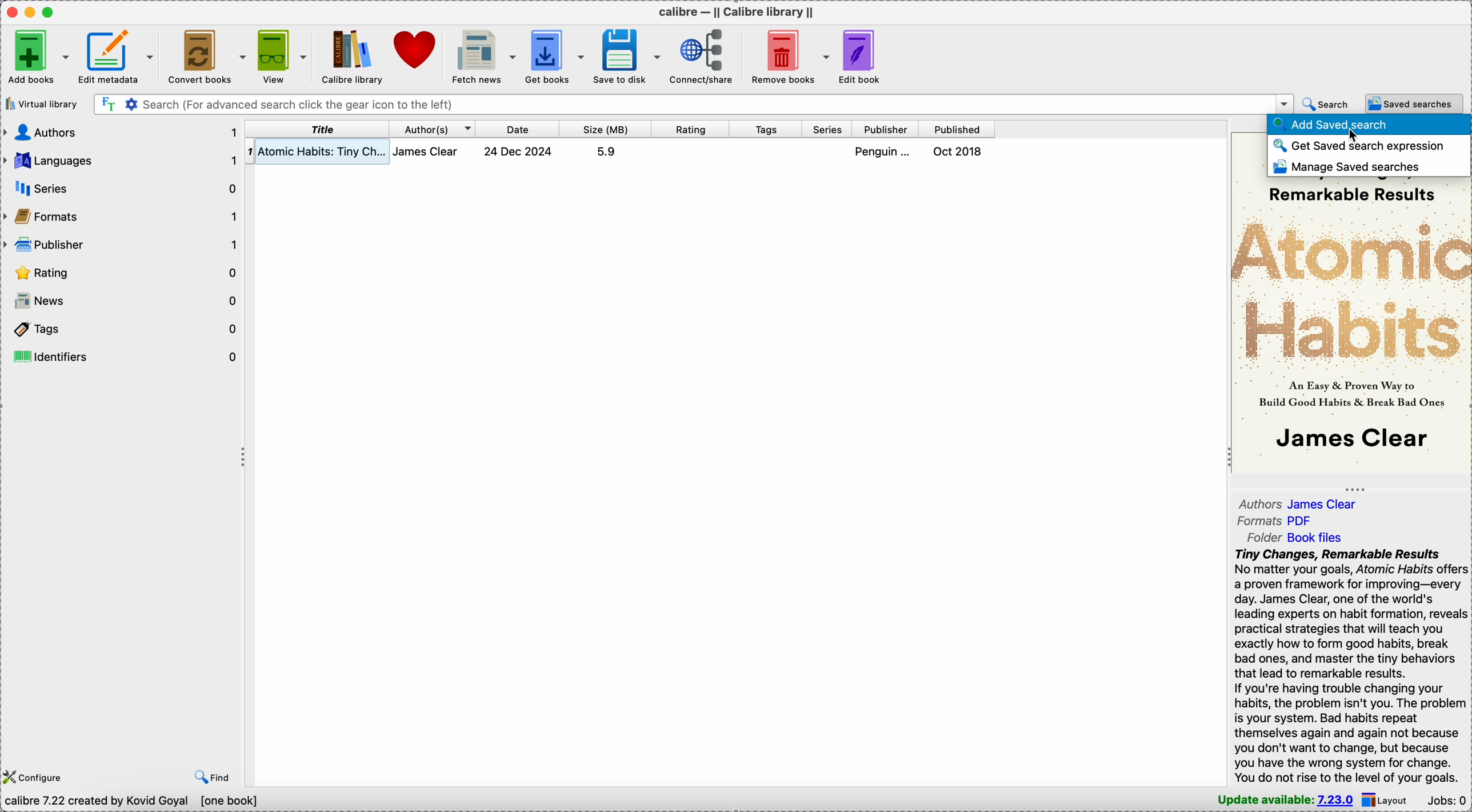  I want to click on calibre - || Calibre library || , so click(734, 11).